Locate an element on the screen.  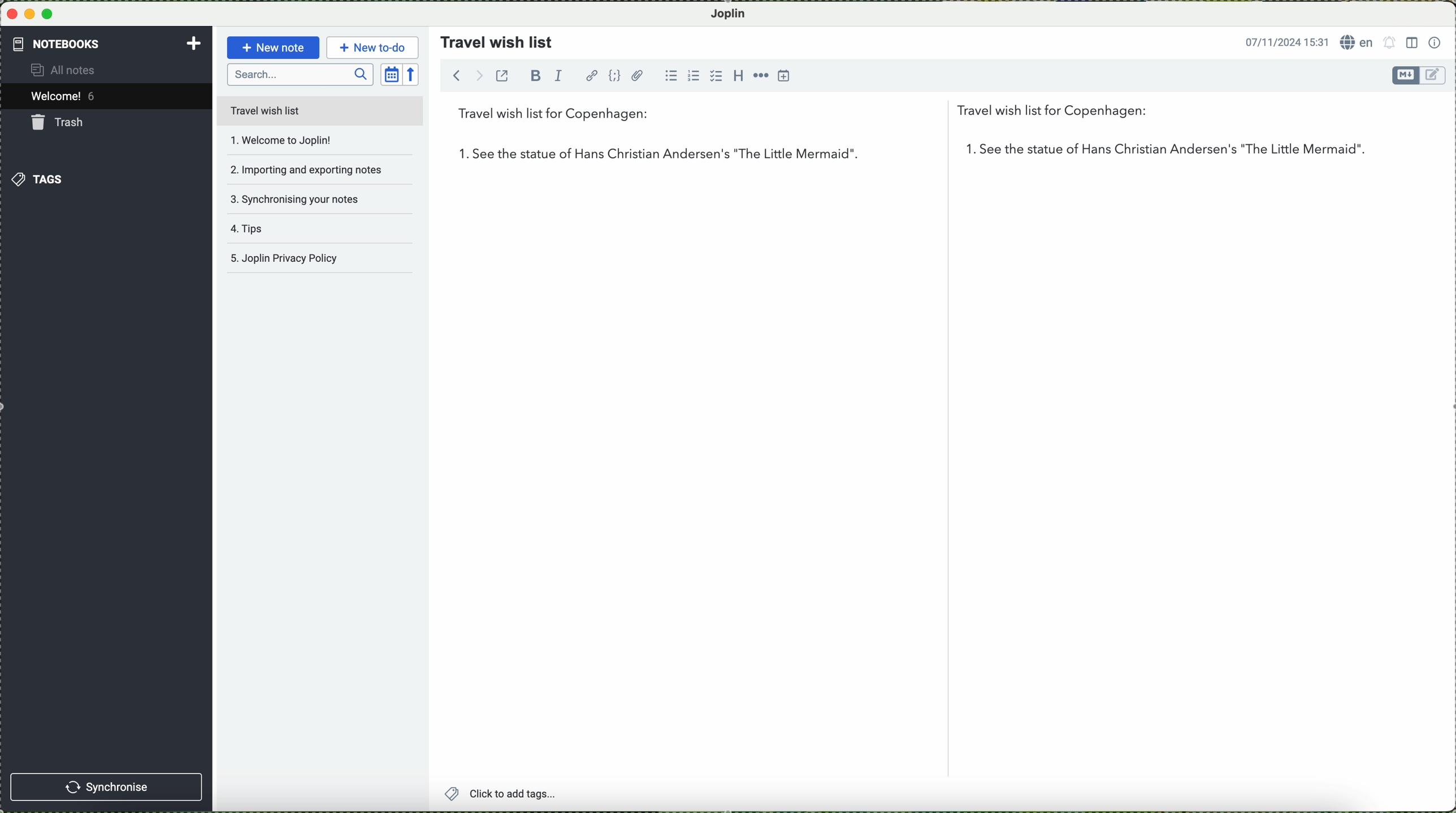
travel wish list file is located at coordinates (319, 110).